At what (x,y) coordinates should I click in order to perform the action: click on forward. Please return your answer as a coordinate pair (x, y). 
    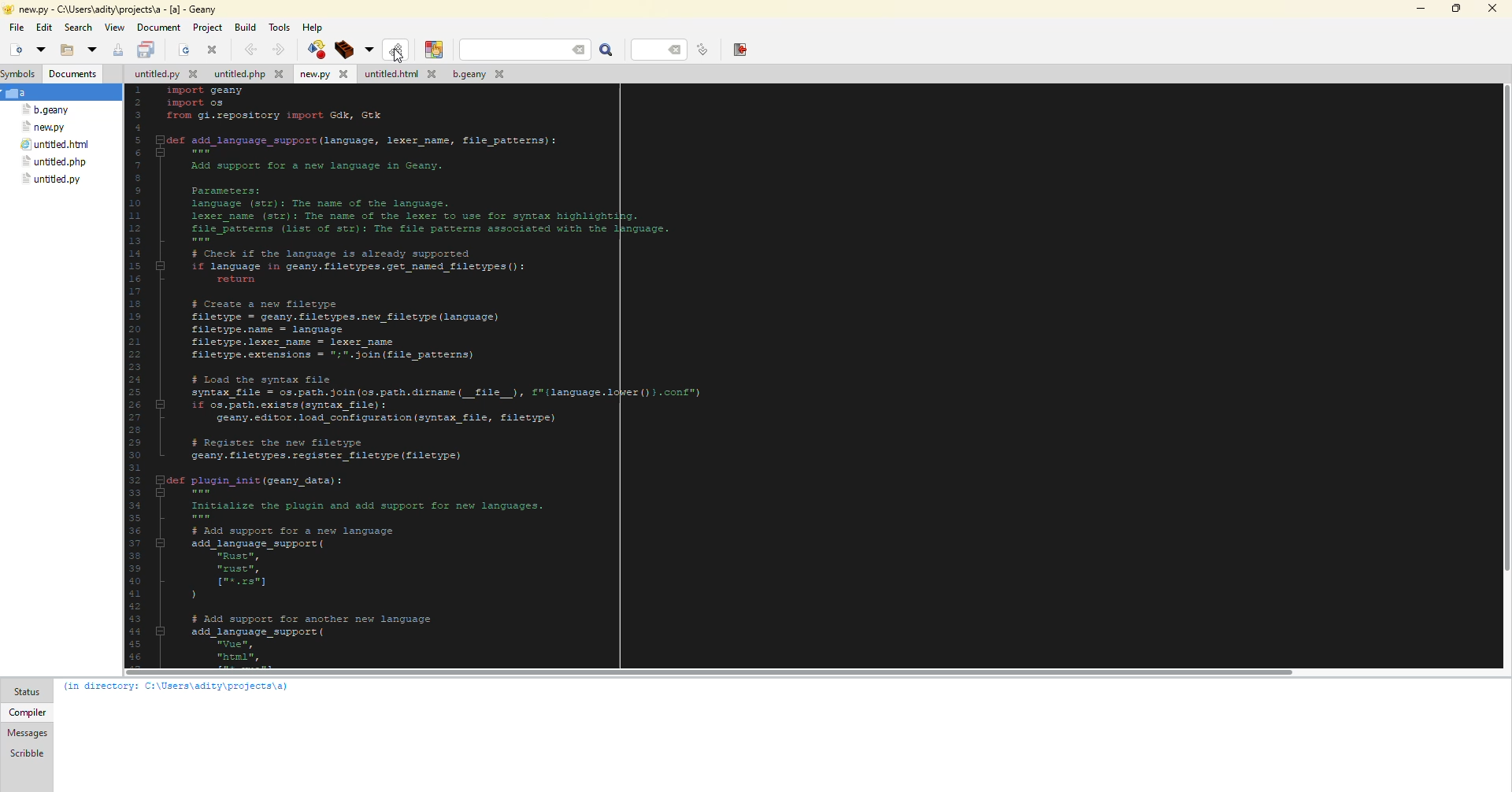
    Looking at the image, I should click on (278, 49).